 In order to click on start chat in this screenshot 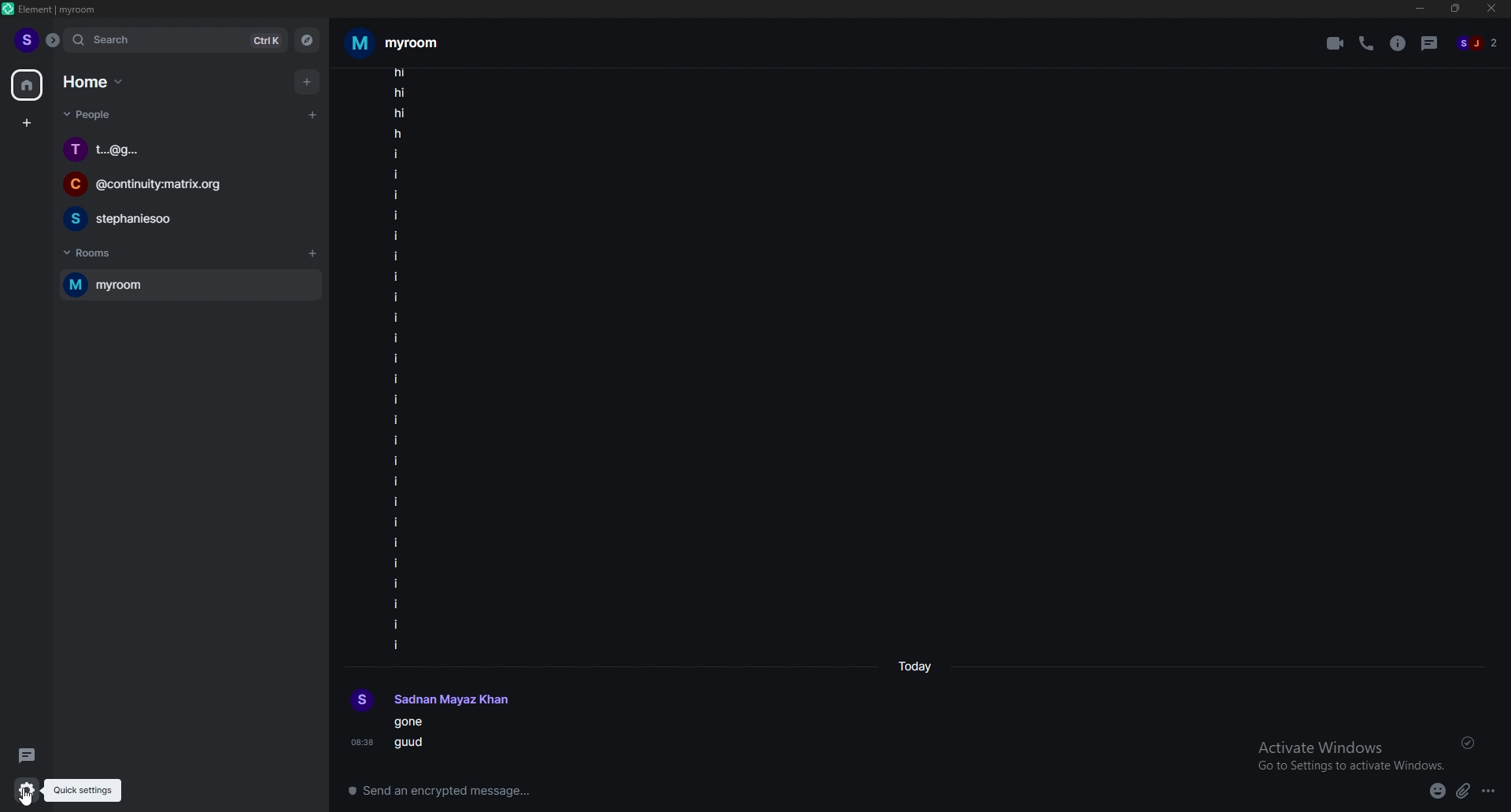, I will do `click(312, 116)`.